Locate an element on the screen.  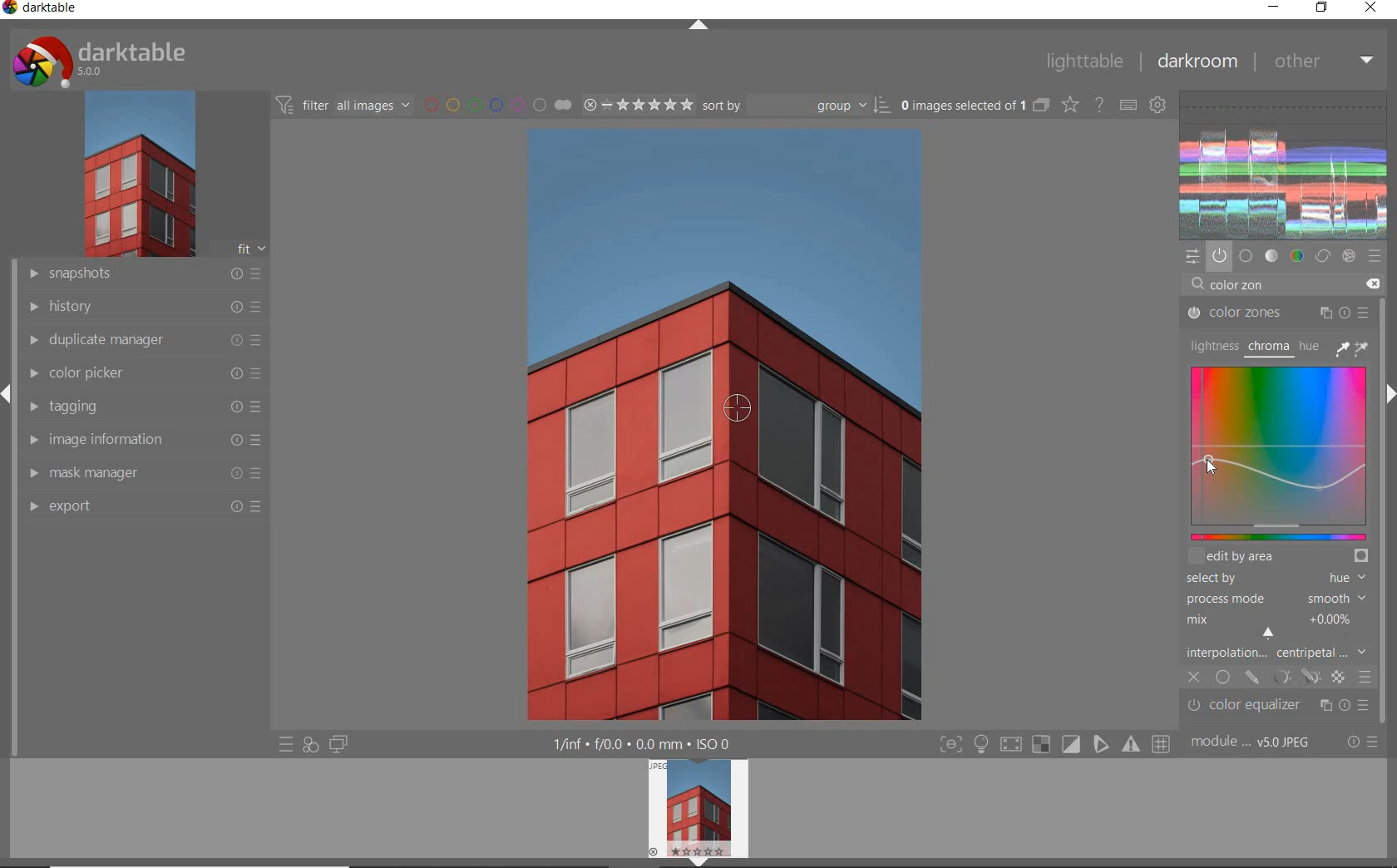
MIX is located at coordinates (1272, 623).